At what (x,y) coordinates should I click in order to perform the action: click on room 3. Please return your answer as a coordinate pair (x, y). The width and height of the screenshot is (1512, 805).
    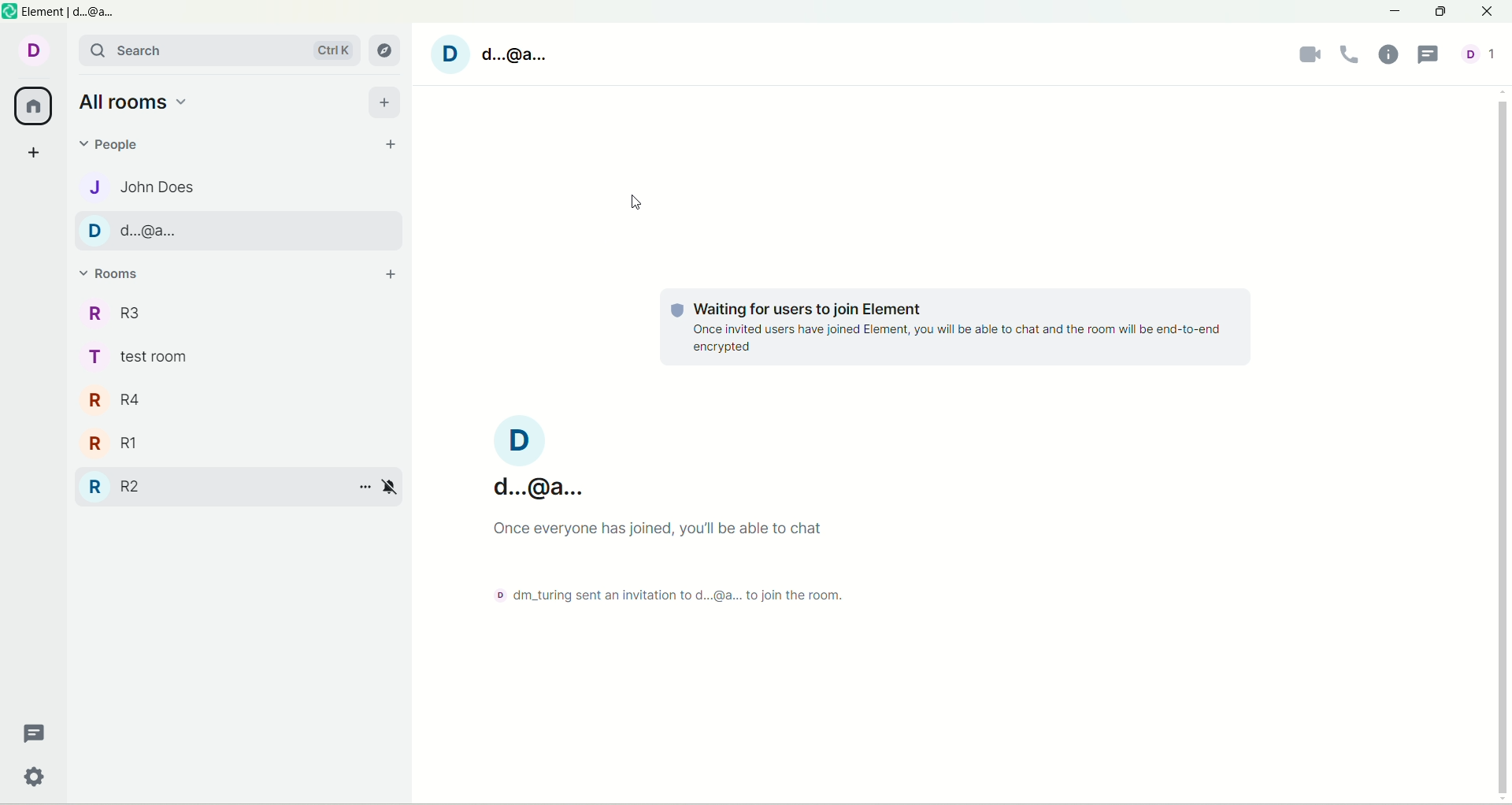
    Looking at the image, I should click on (143, 310).